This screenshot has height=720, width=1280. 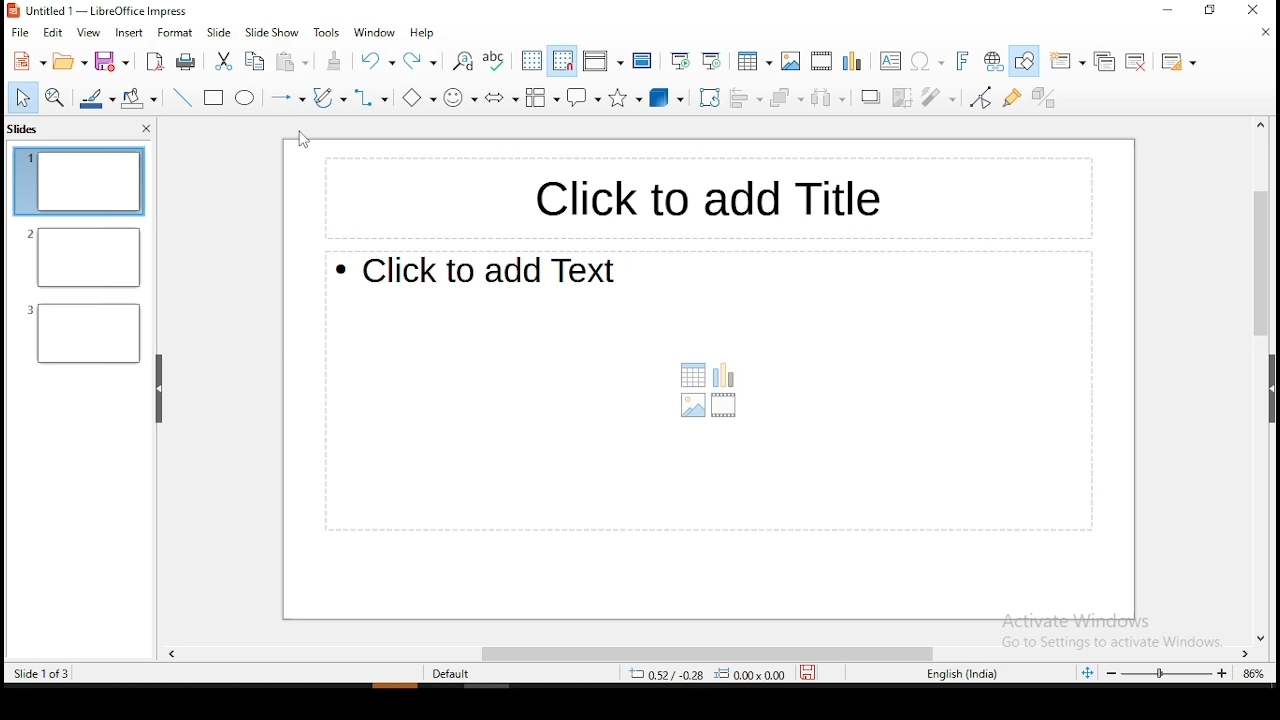 What do you see at coordinates (1088, 674) in the screenshot?
I see `fit slide to current window` at bounding box center [1088, 674].